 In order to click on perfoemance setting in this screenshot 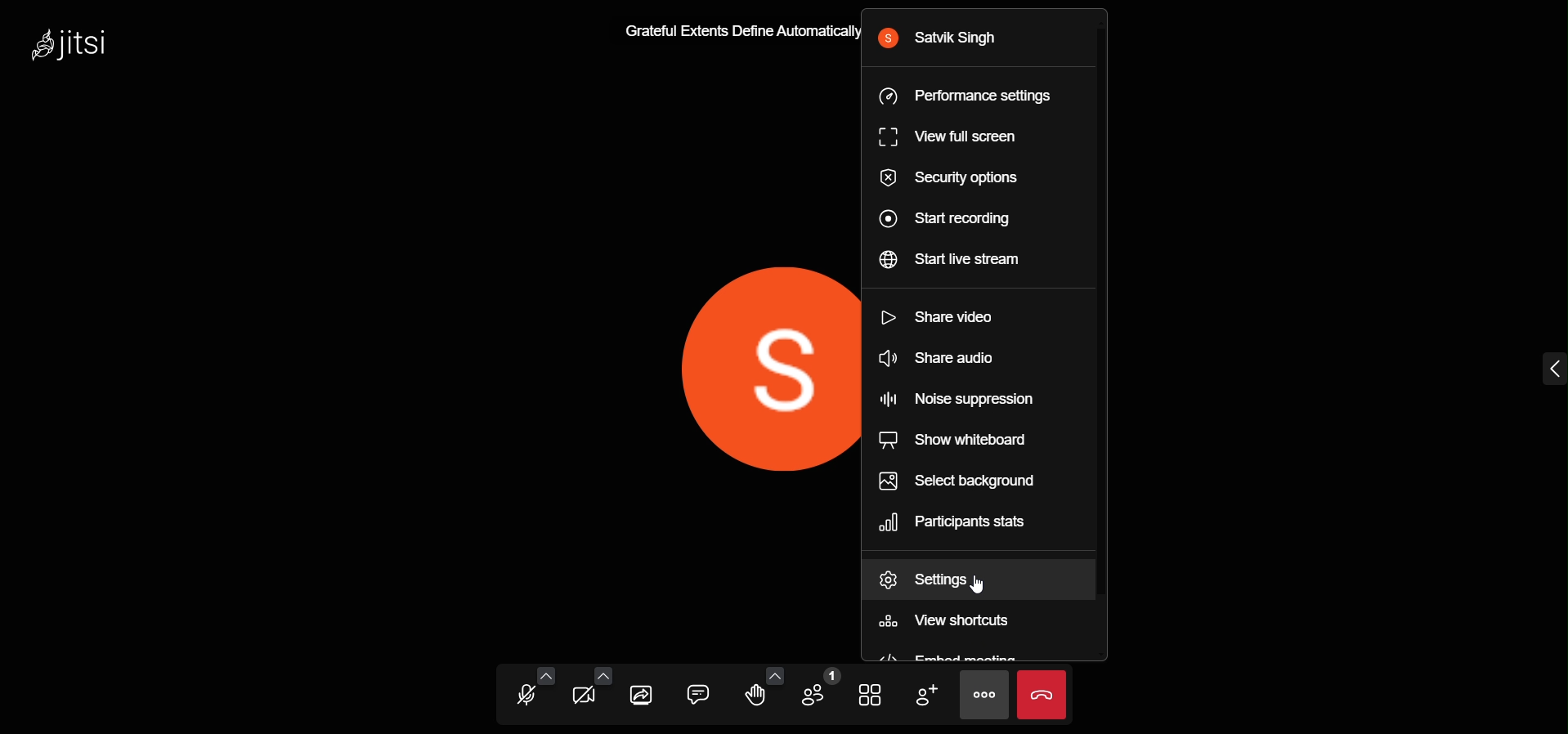, I will do `click(966, 97)`.